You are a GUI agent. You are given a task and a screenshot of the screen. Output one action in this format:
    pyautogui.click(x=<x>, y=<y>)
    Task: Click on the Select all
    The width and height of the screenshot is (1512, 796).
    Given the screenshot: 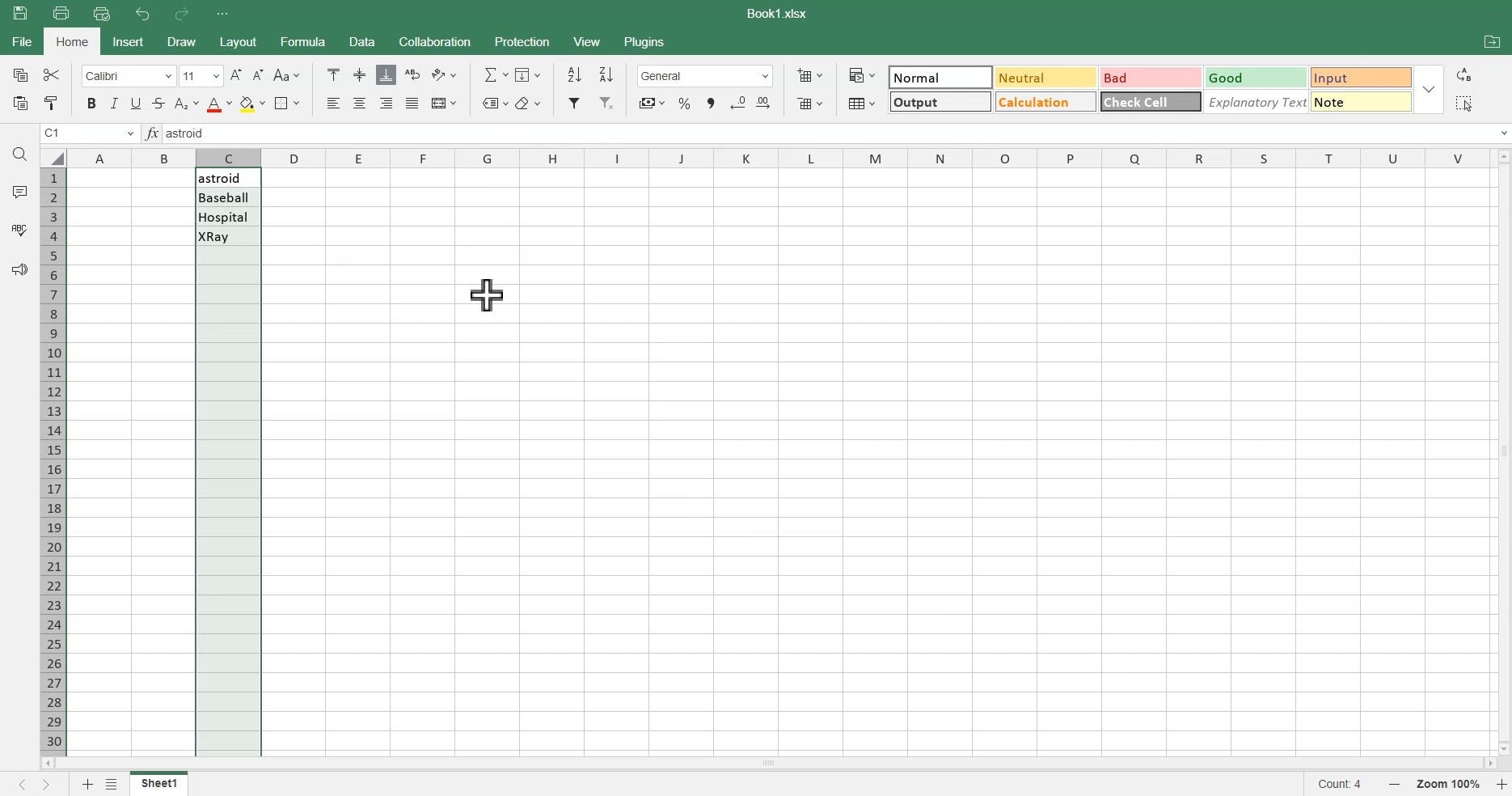 What is the action you would take?
    pyautogui.click(x=1463, y=103)
    